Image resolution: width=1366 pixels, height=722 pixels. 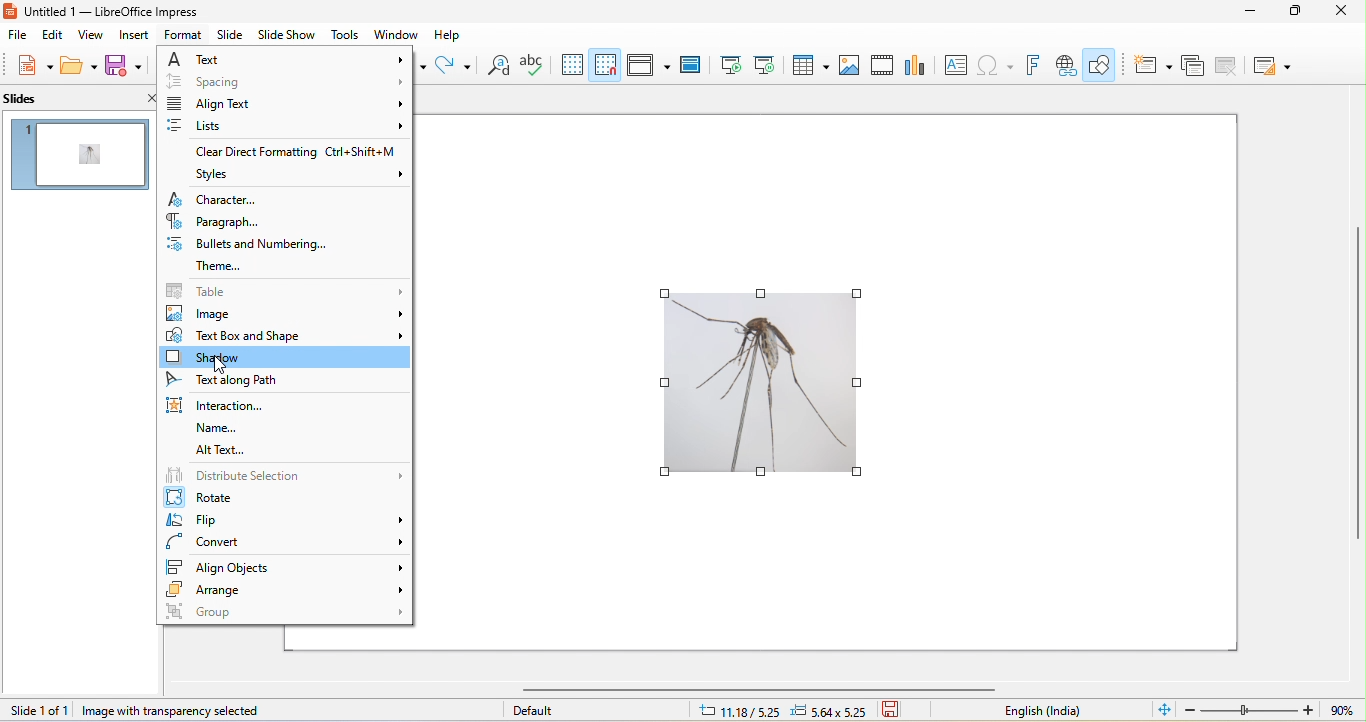 I want to click on cursor and object position changed, so click(x=791, y=709).